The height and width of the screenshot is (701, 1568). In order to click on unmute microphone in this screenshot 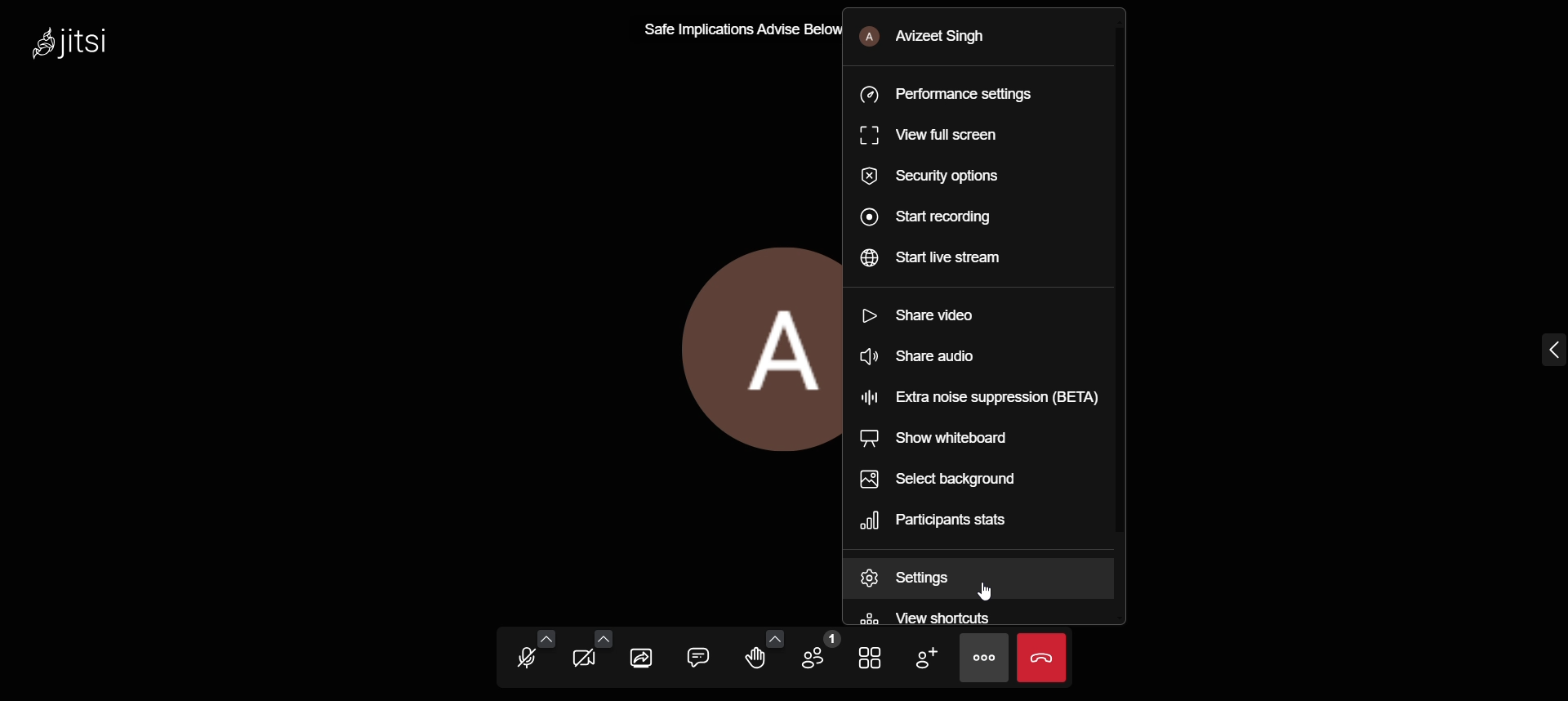, I will do `click(527, 657)`.